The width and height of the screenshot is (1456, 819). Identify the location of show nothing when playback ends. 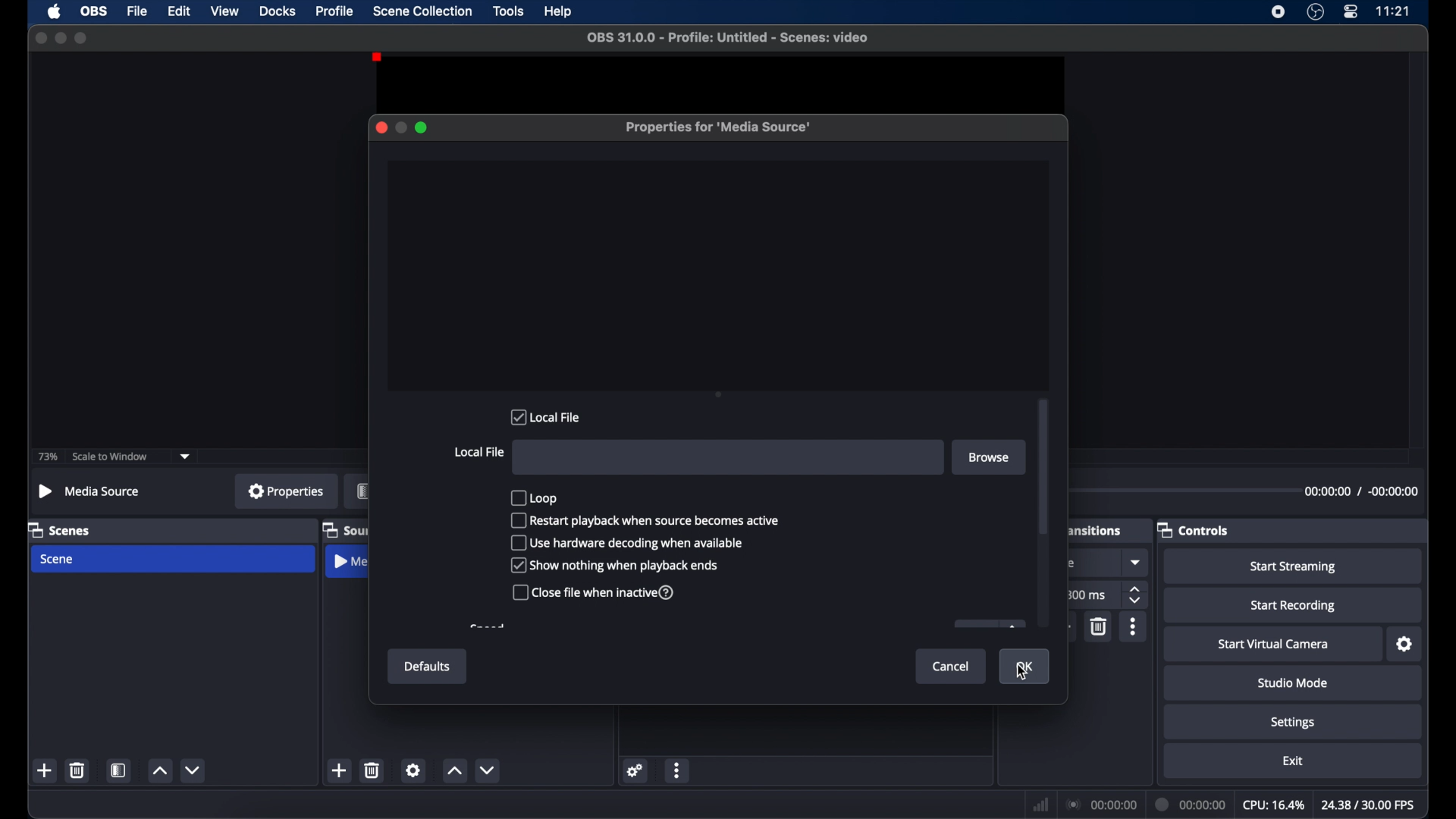
(614, 566).